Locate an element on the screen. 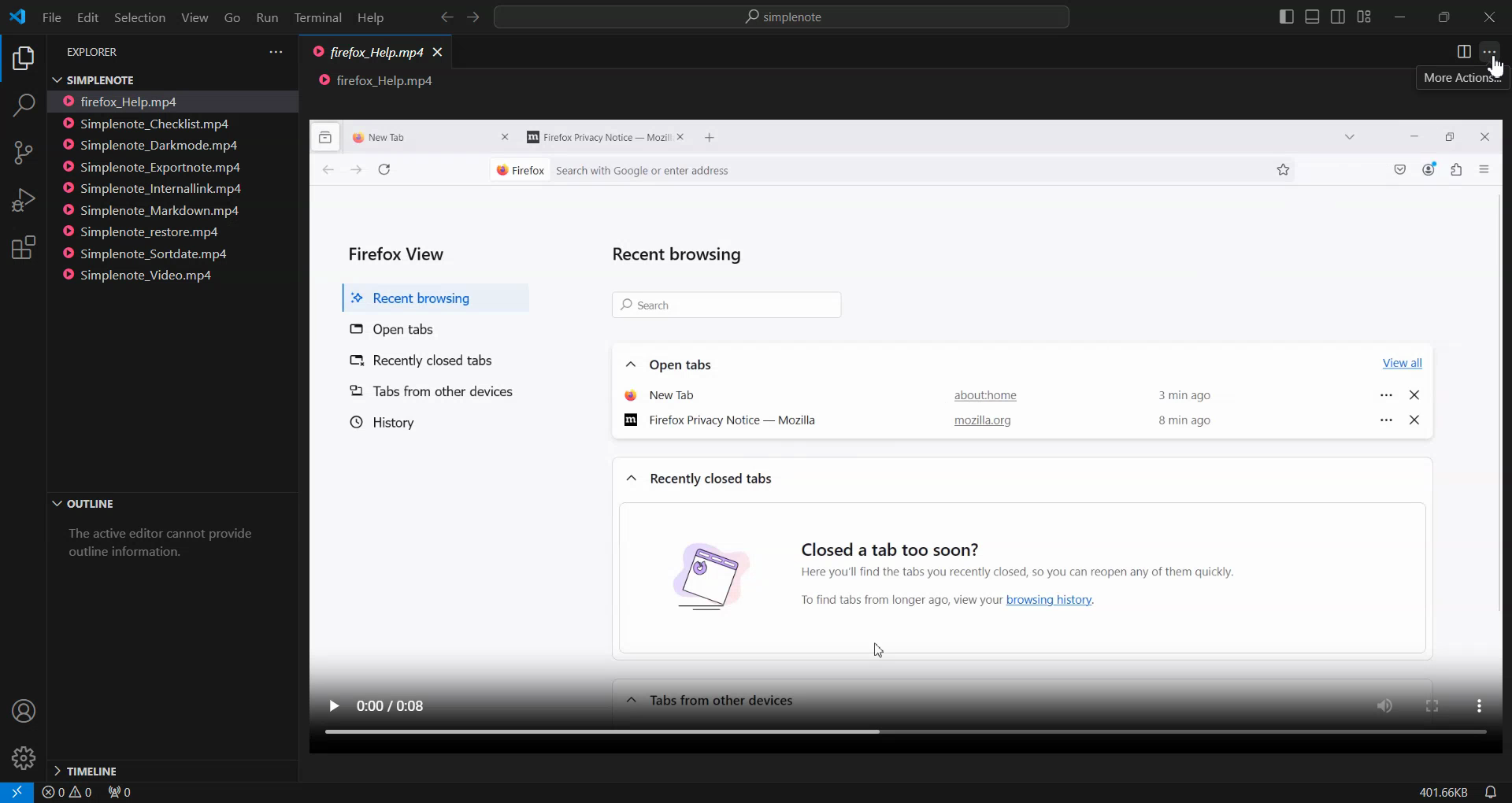 This screenshot has width=1512, height=803. File is located at coordinates (50, 17).